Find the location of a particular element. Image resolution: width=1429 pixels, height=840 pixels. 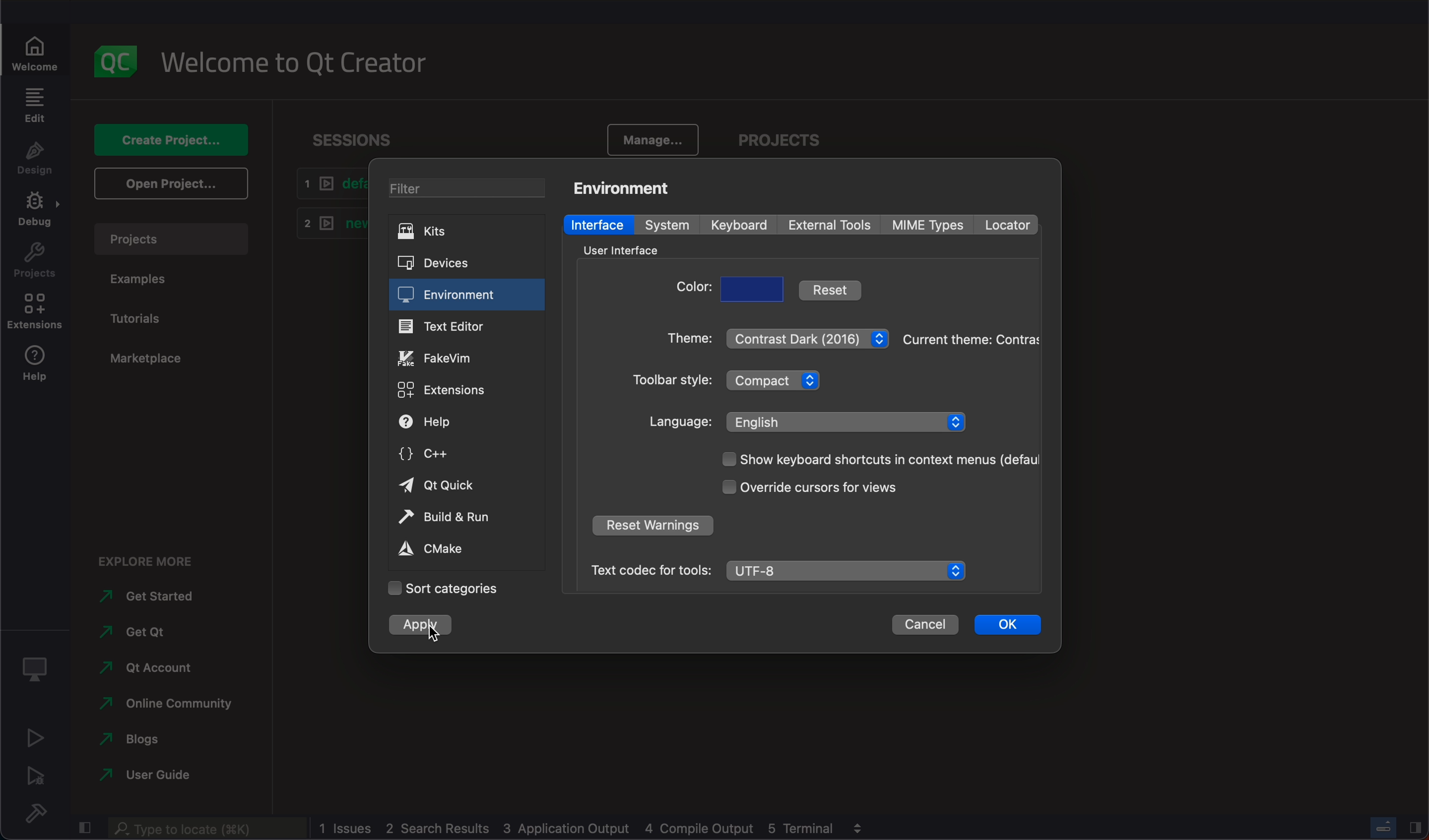

create is located at coordinates (164, 141).